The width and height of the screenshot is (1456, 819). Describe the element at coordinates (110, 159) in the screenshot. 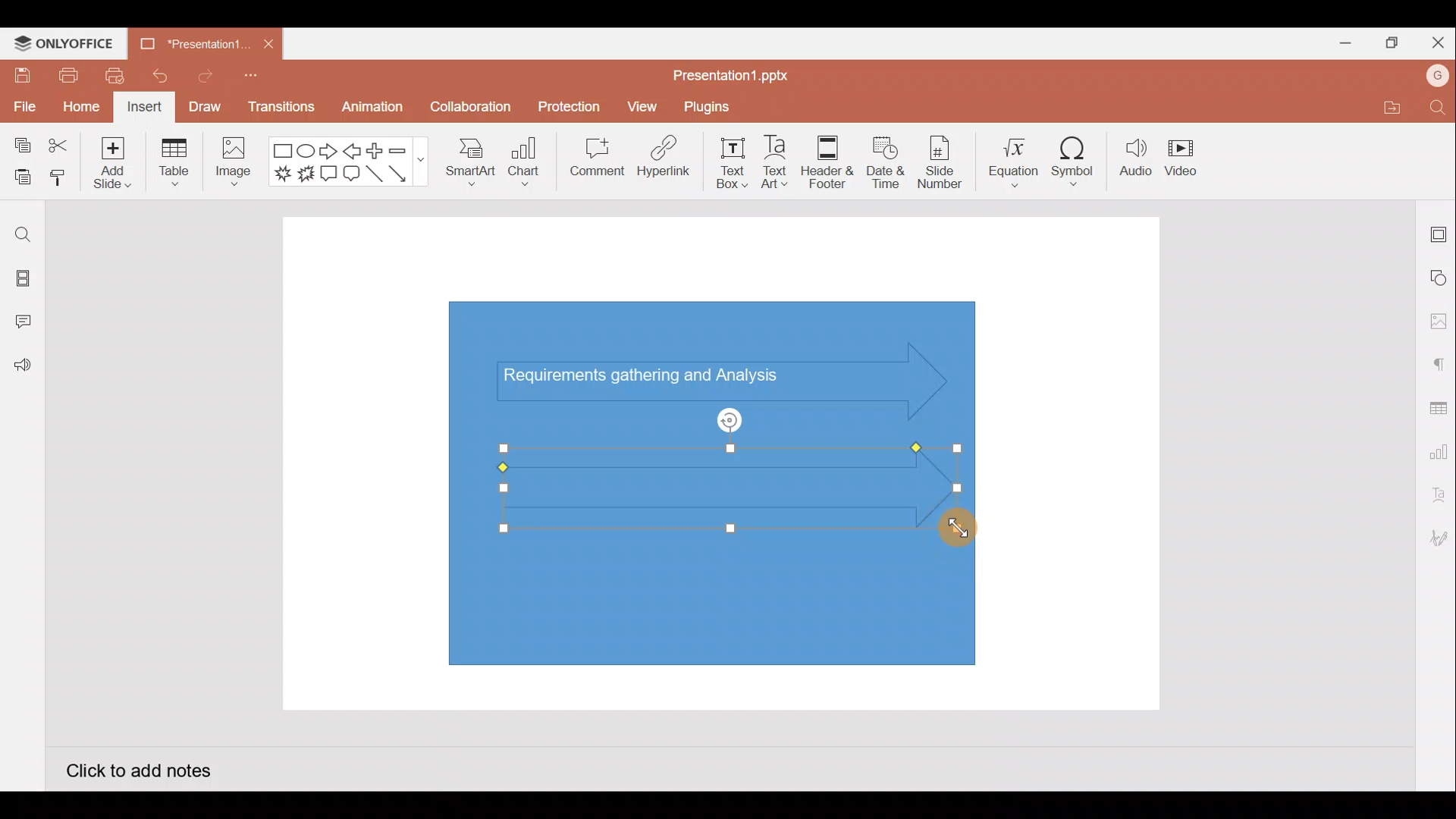

I see `Add slide` at that location.